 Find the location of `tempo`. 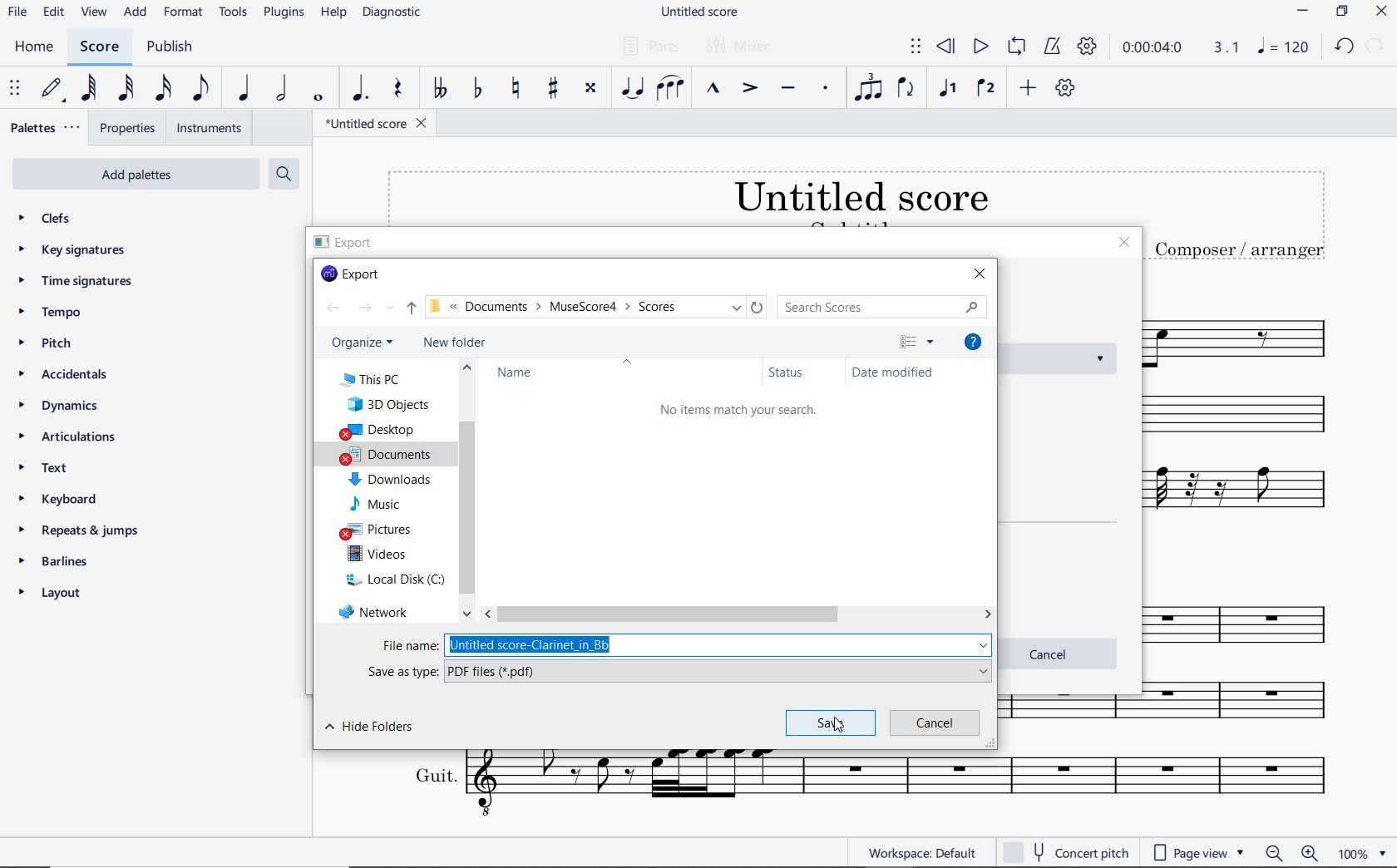

tempo is located at coordinates (52, 313).